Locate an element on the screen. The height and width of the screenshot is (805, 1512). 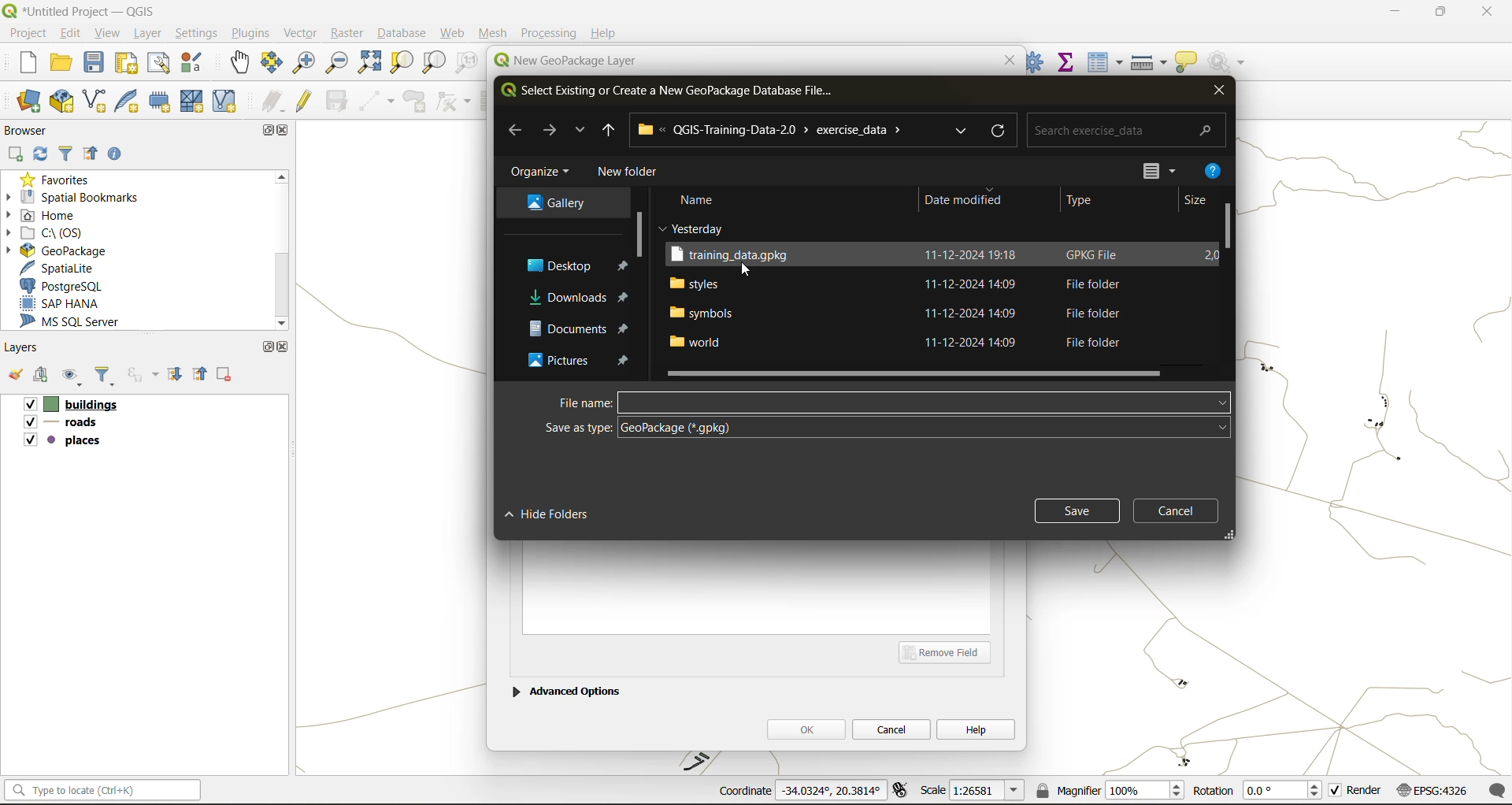
Desktop is located at coordinates (554, 265).